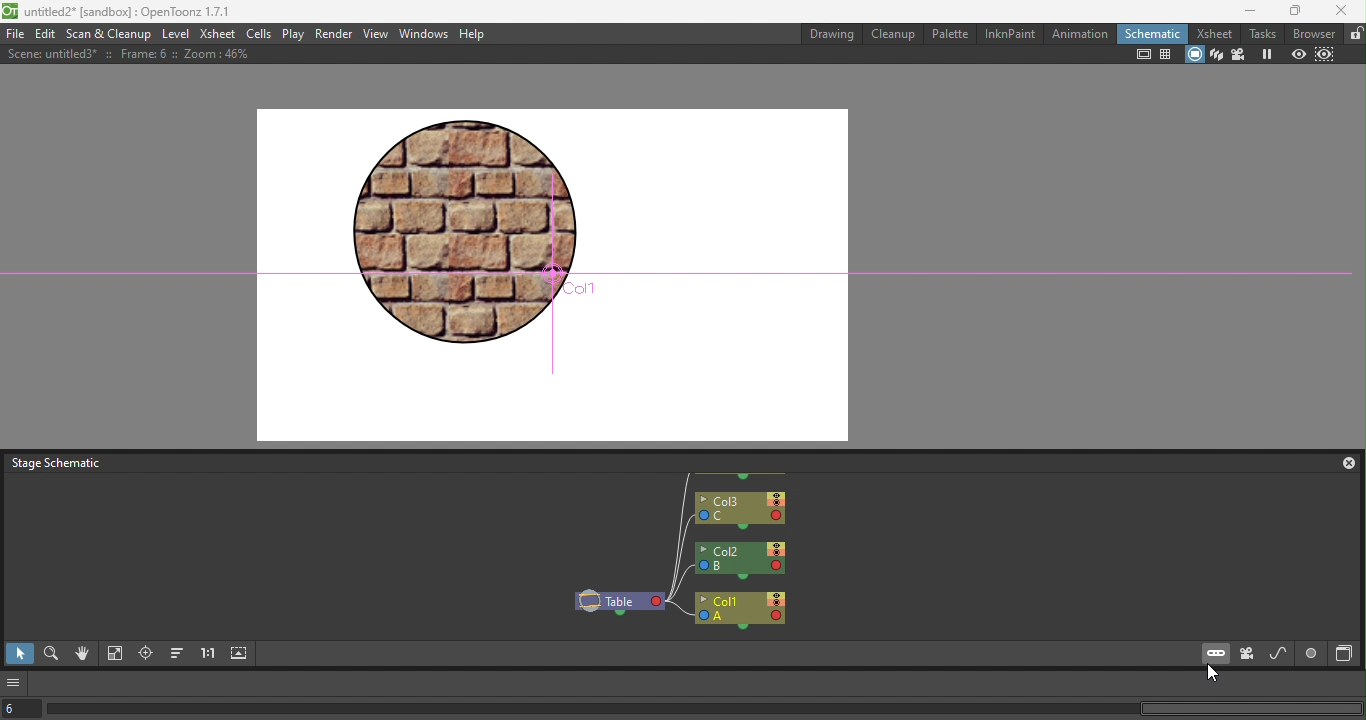  What do you see at coordinates (109, 35) in the screenshot?
I see `Scan & Cleanup` at bounding box center [109, 35].